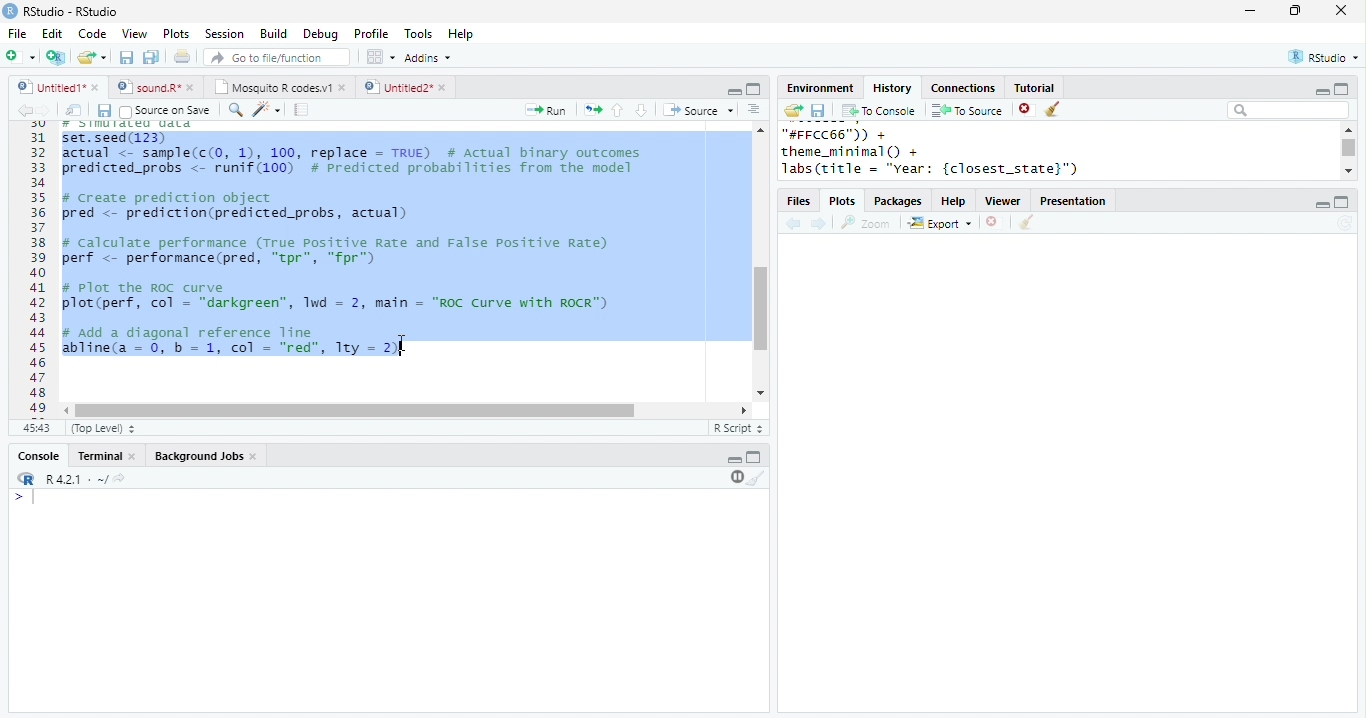  What do you see at coordinates (757, 477) in the screenshot?
I see `clear` at bounding box center [757, 477].